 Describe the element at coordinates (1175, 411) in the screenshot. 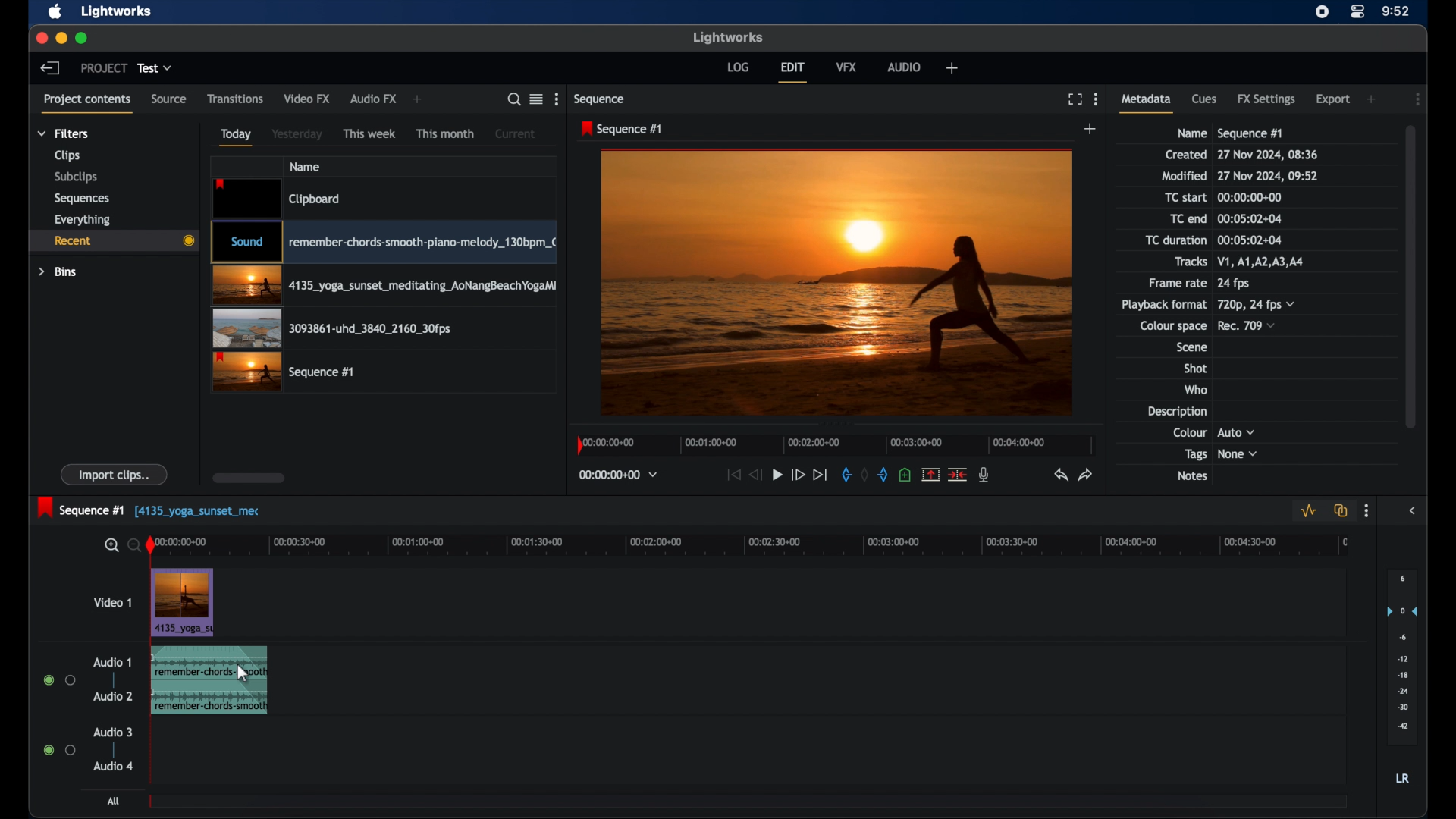

I see `description` at that location.